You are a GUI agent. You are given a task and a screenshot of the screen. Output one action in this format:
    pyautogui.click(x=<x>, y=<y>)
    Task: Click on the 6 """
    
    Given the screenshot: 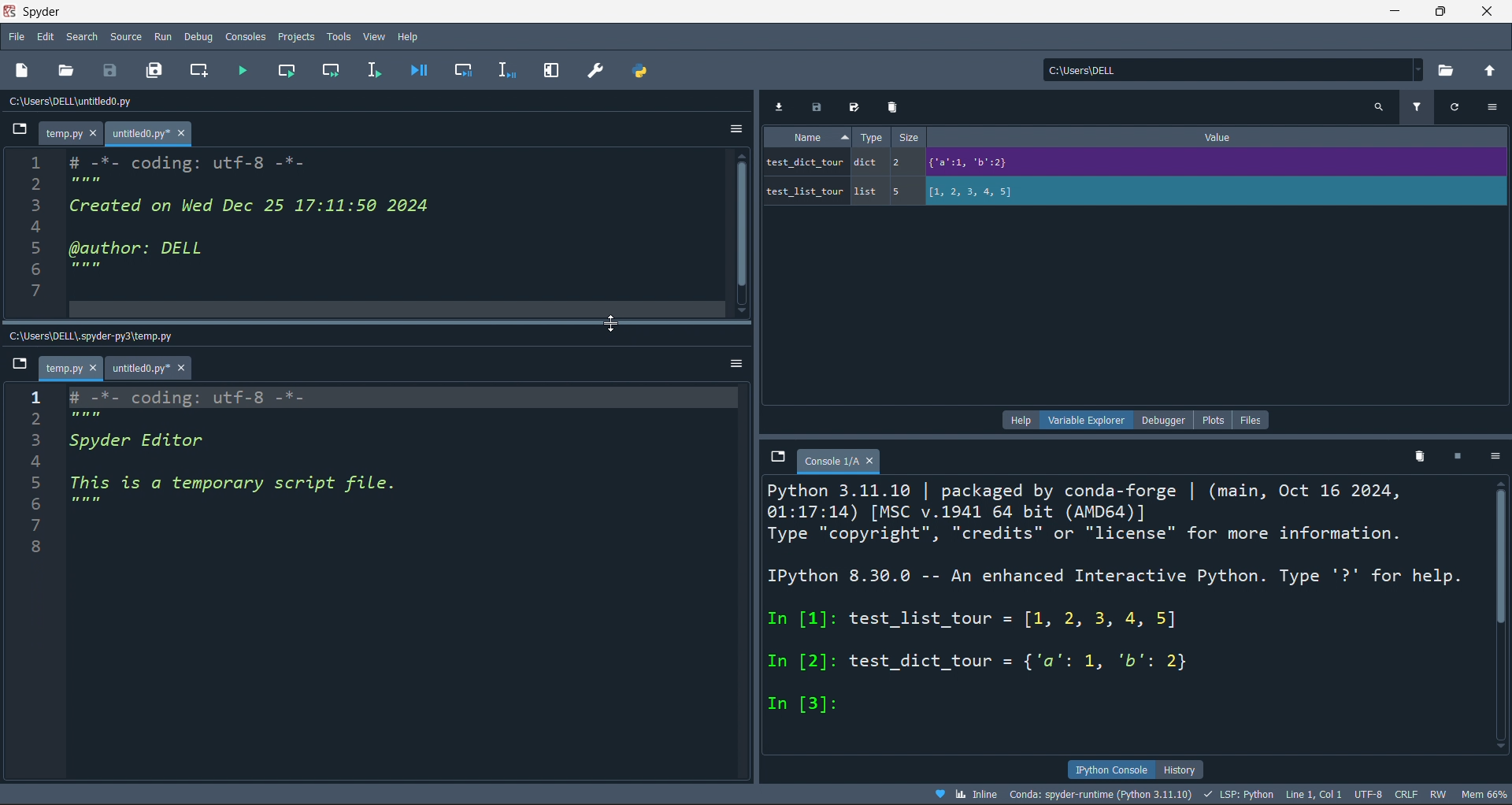 What is the action you would take?
    pyautogui.click(x=91, y=505)
    